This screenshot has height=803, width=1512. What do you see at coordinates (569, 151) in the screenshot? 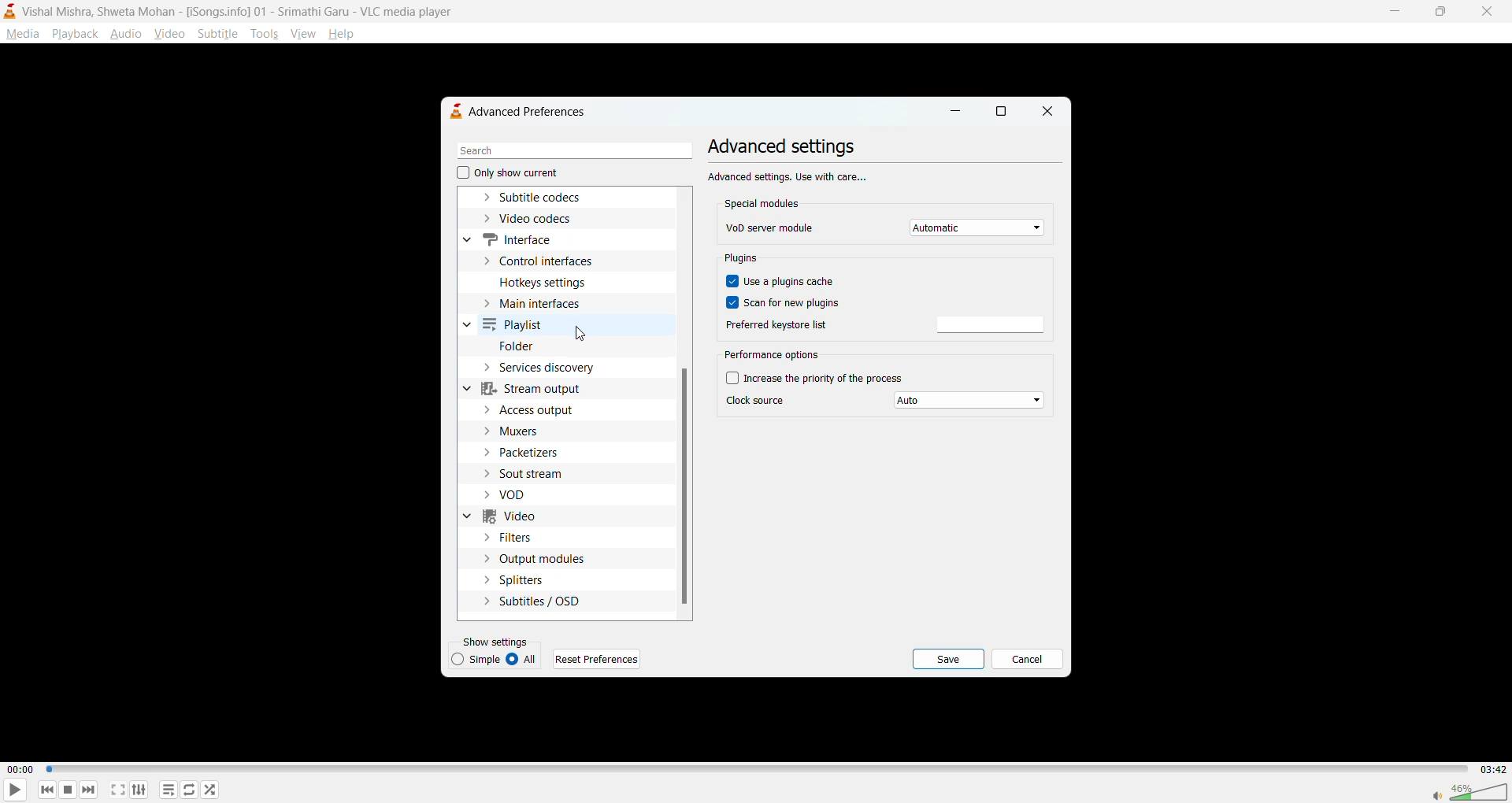
I see `search` at bounding box center [569, 151].